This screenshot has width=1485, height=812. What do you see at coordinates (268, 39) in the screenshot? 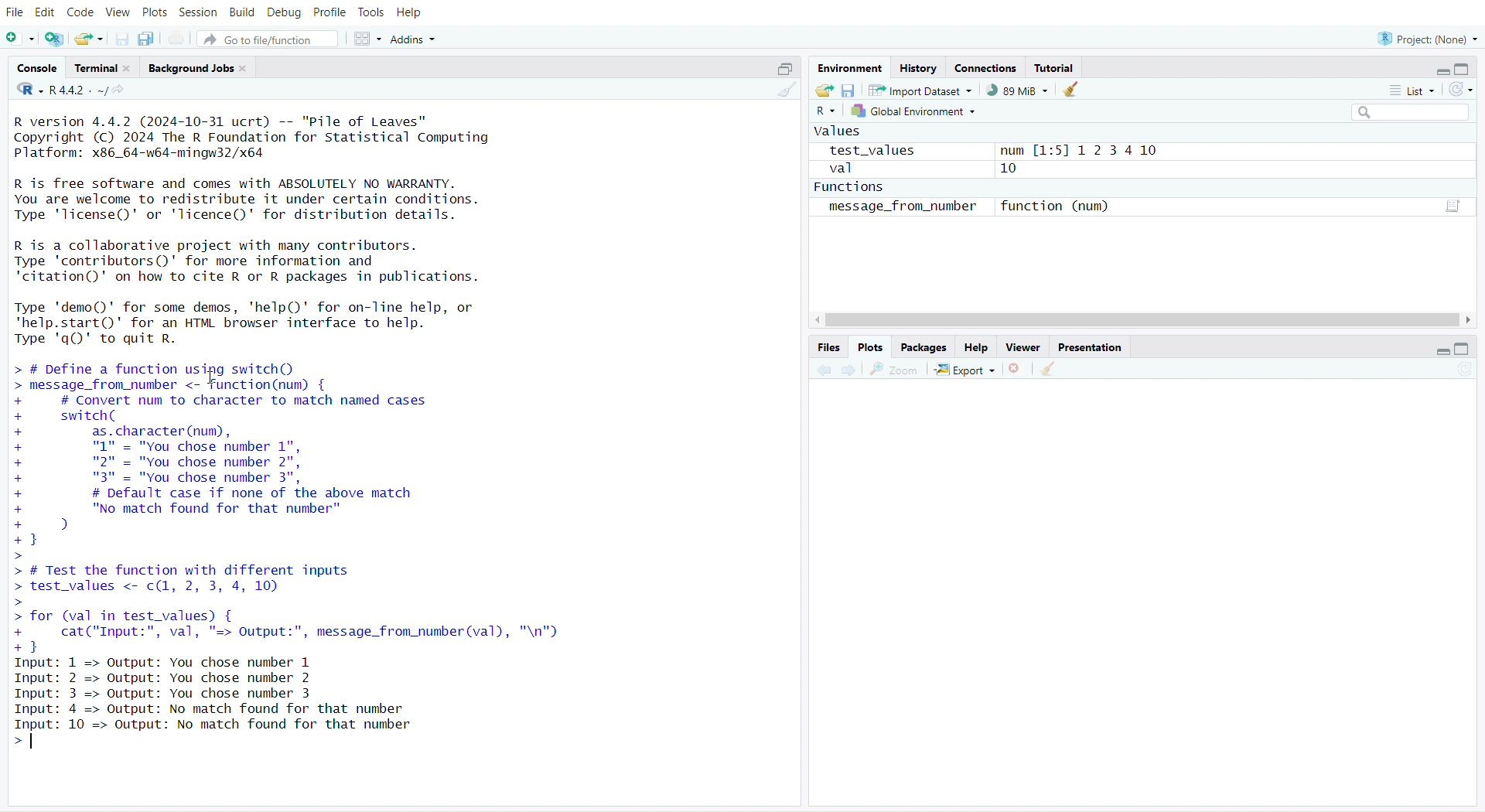
I see `Go to file/function` at bounding box center [268, 39].